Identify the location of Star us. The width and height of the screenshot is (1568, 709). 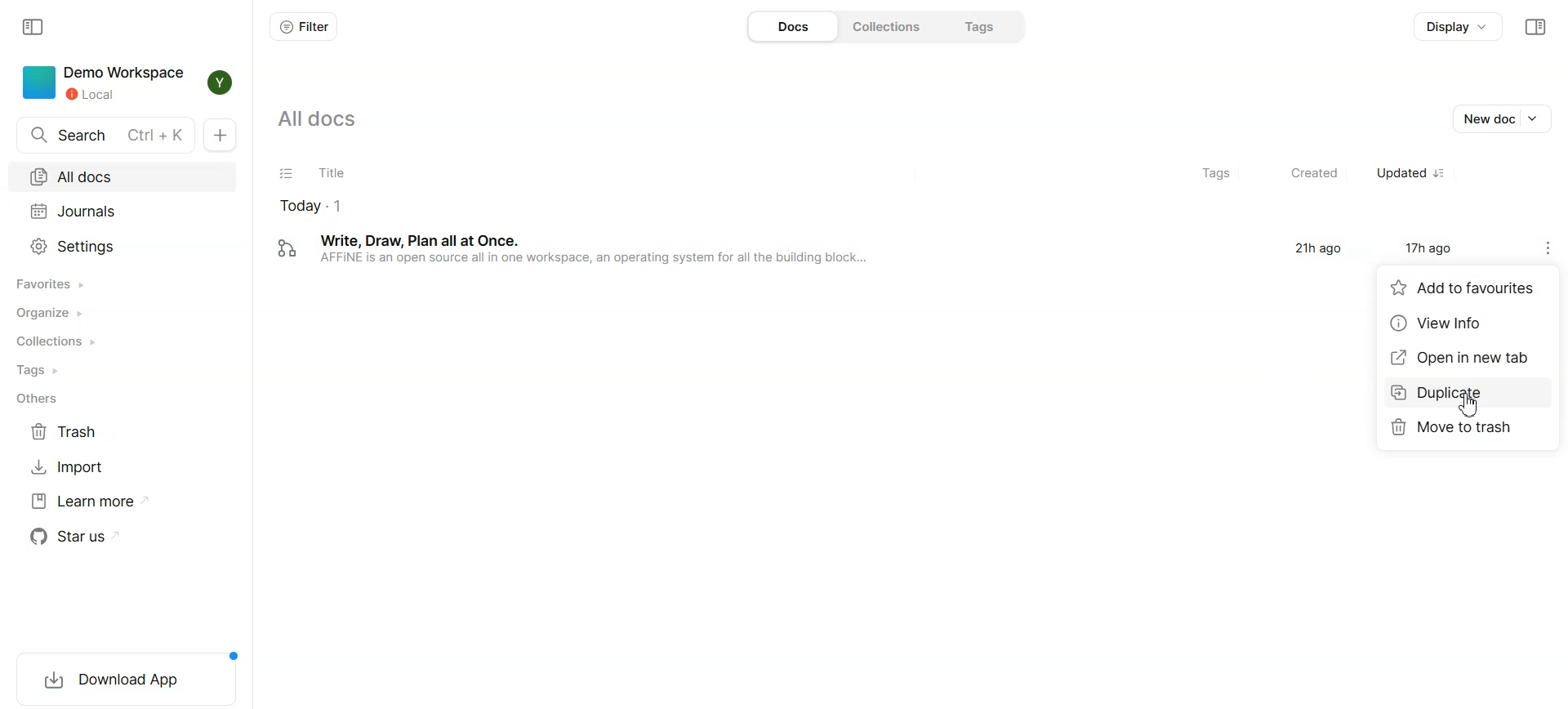
(126, 535).